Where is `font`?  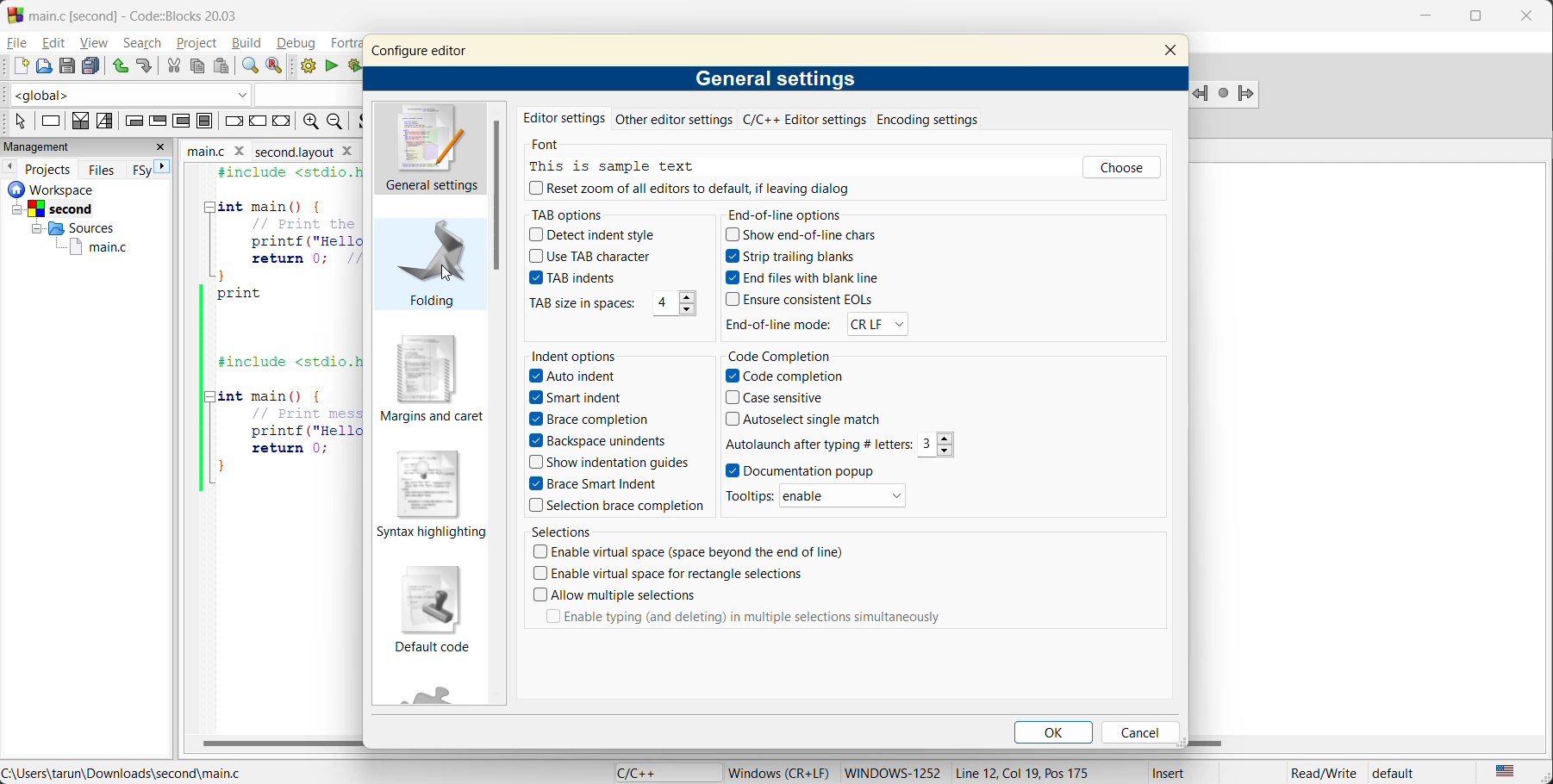
font is located at coordinates (552, 146).